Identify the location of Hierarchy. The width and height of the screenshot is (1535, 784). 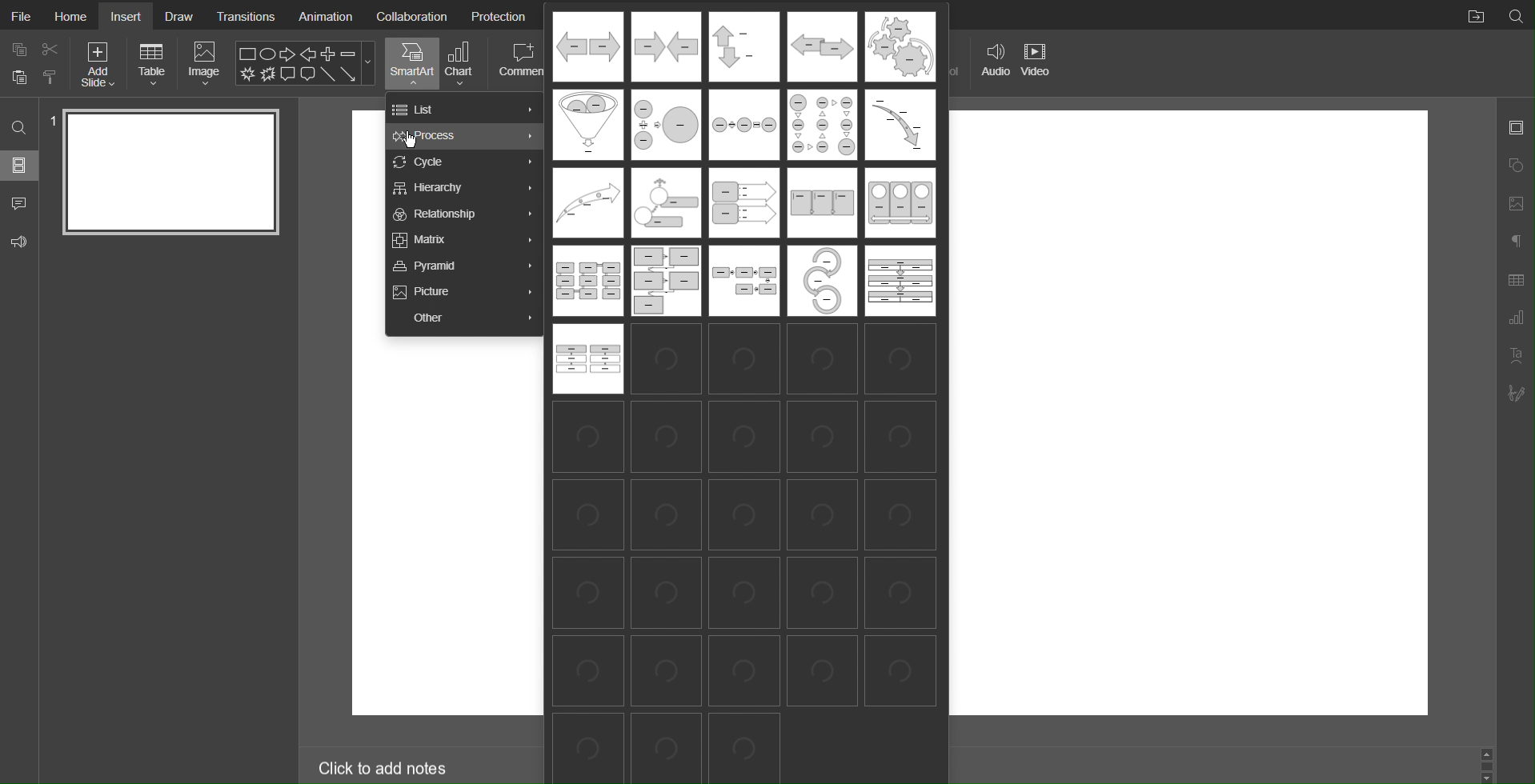
(463, 188).